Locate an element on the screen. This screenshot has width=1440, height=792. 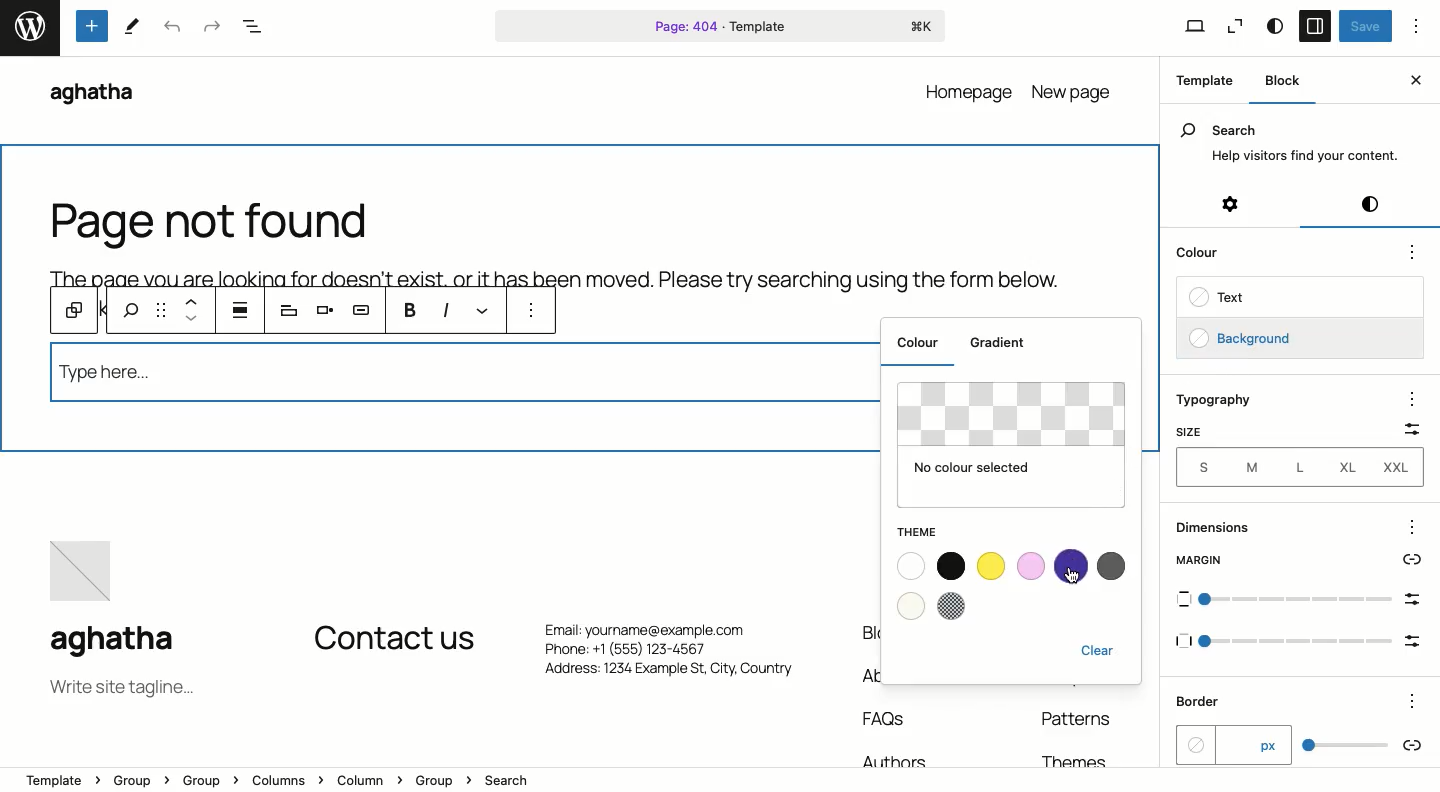
new page is located at coordinates (1075, 90).